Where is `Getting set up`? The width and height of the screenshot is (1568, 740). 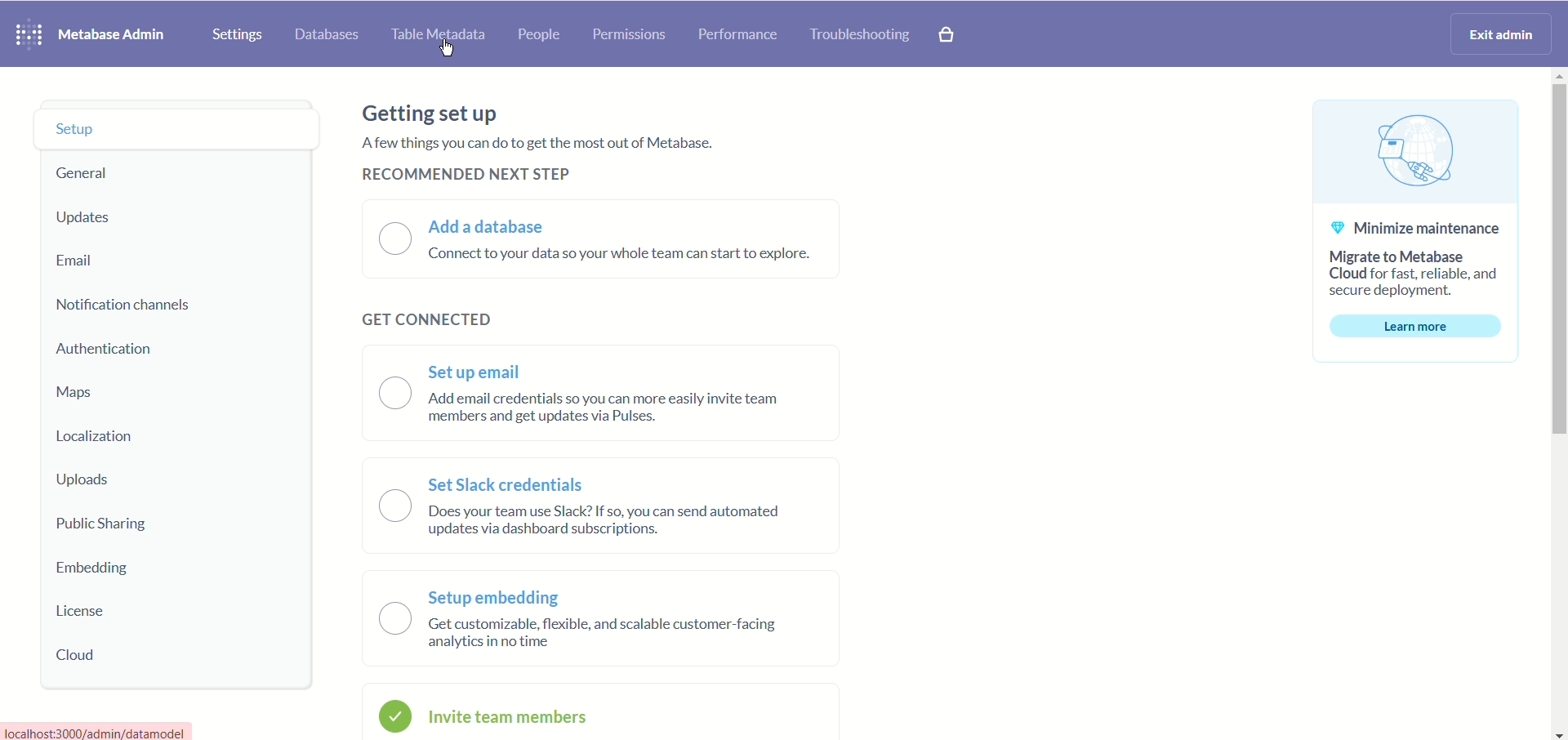 Getting set up is located at coordinates (427, 112).